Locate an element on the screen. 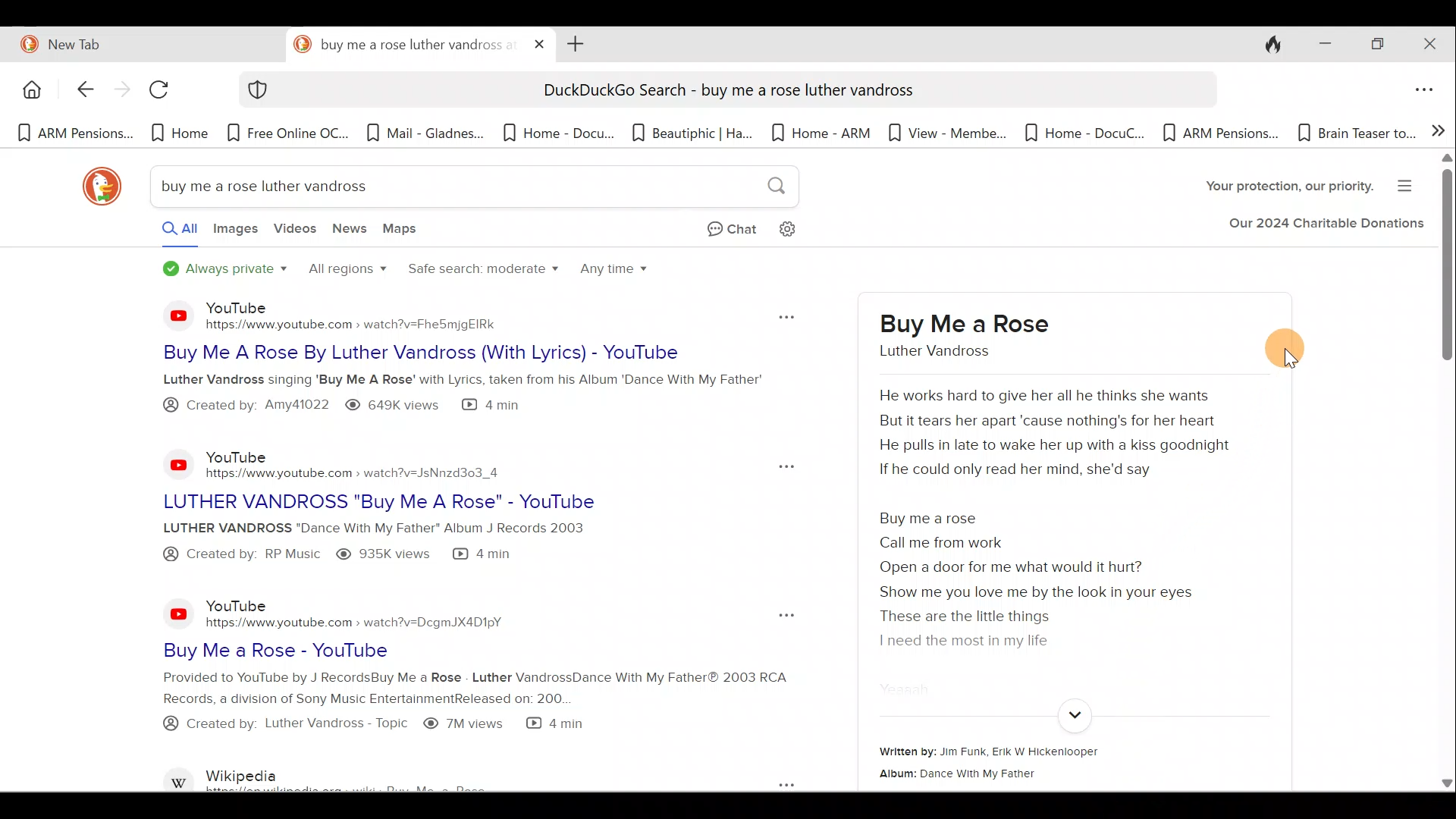 The width and height of the screenshot is (1456, 819). Bookmark 11 is located at coordinates (1354, 133).